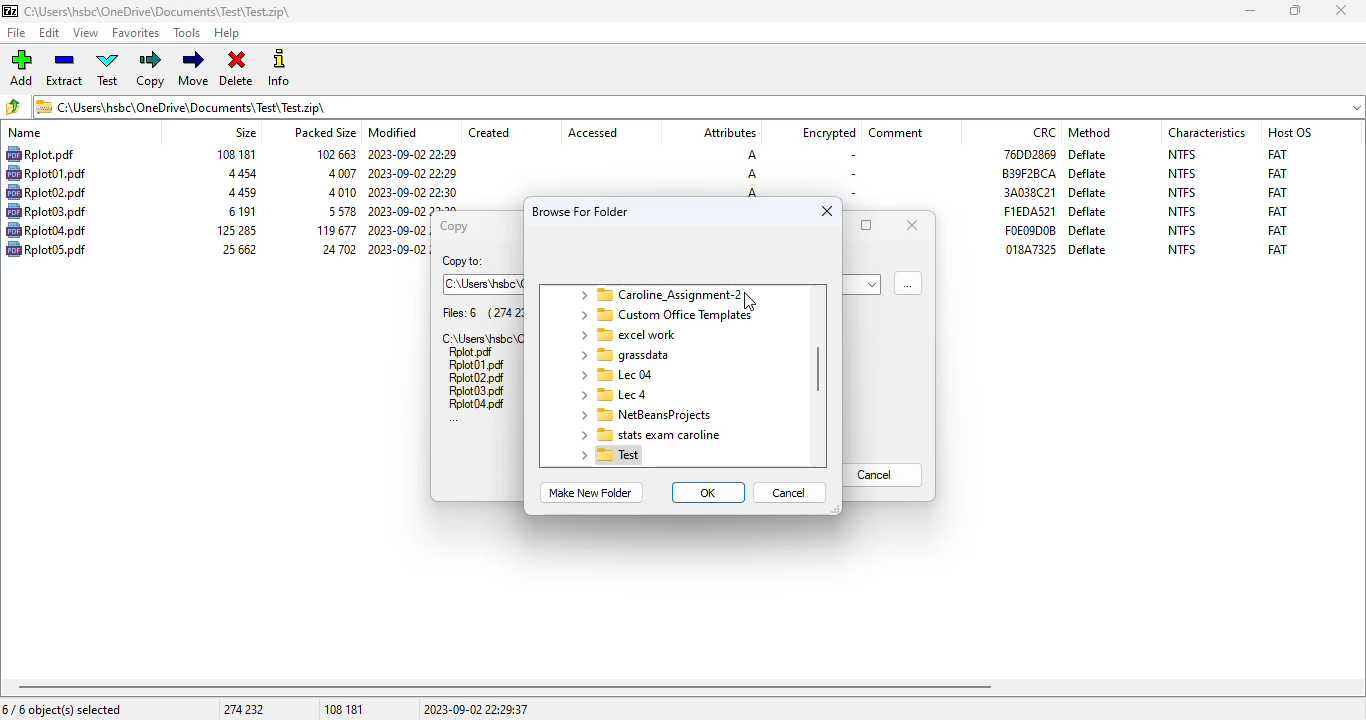  Describe the element at coordinates (227, 34) in the screenshot. I see `help` at that location.